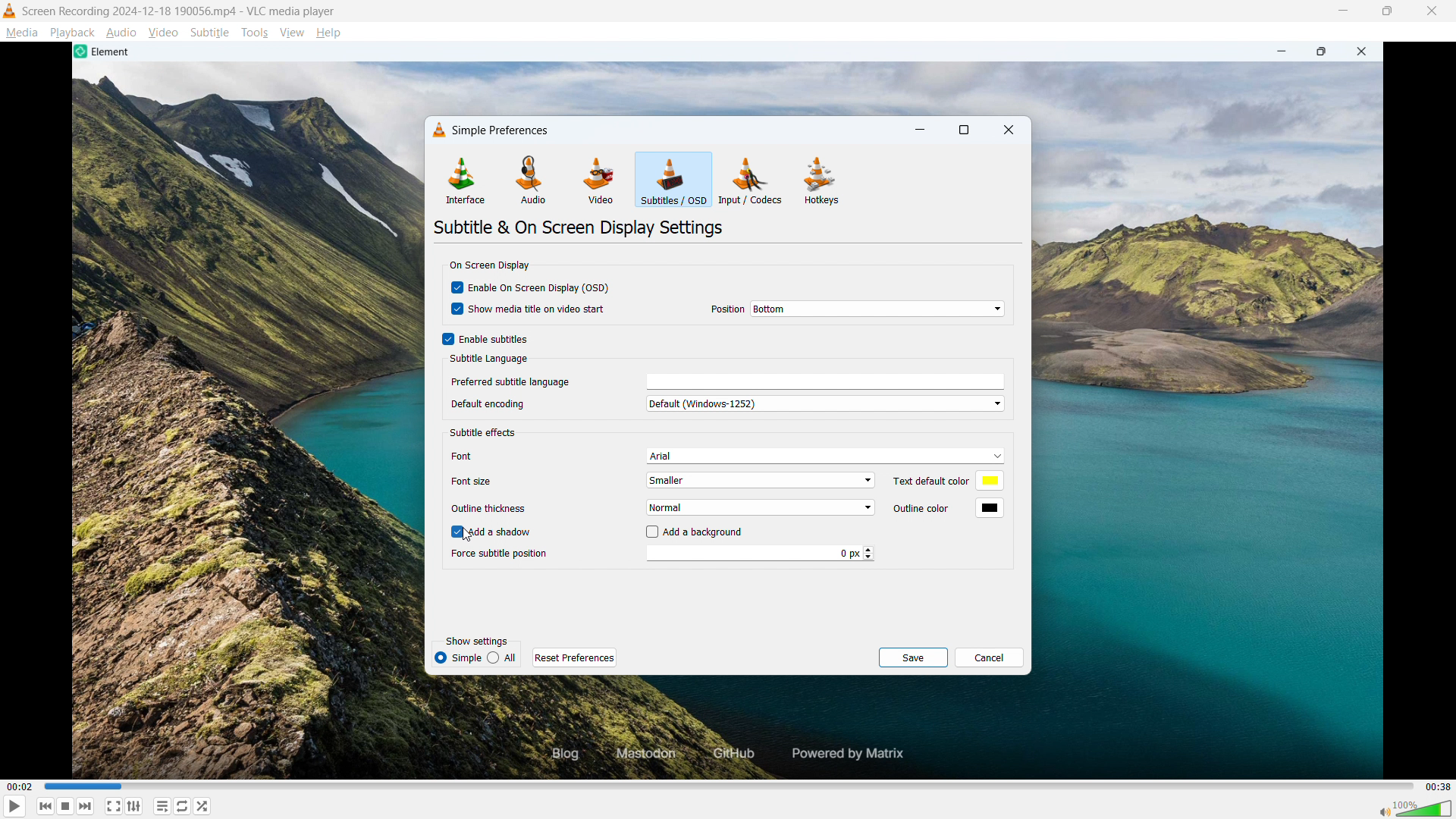 Image resolution: width=1456 pixels, height=819 pixels. Describe the element at coordinates (730, 755) in the screenshot. I see `GitHub` at that location.